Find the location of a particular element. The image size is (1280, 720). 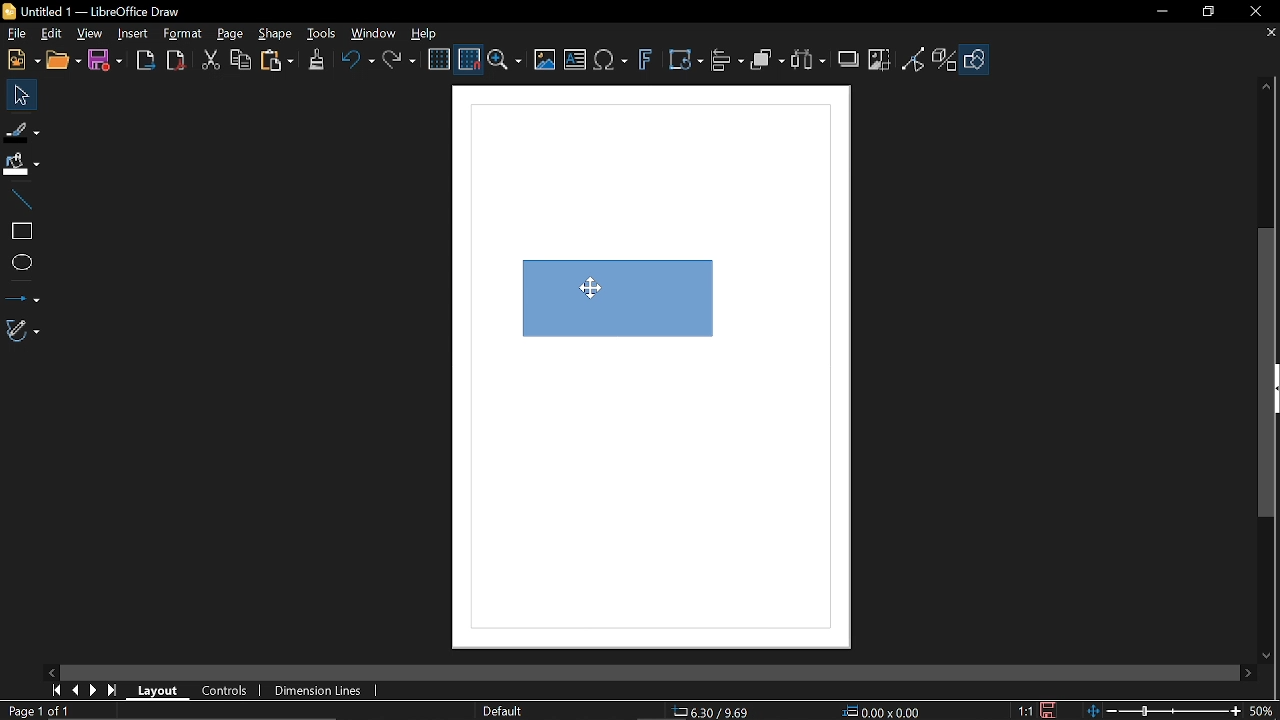

Arrange is located at coordinates (767, 62).